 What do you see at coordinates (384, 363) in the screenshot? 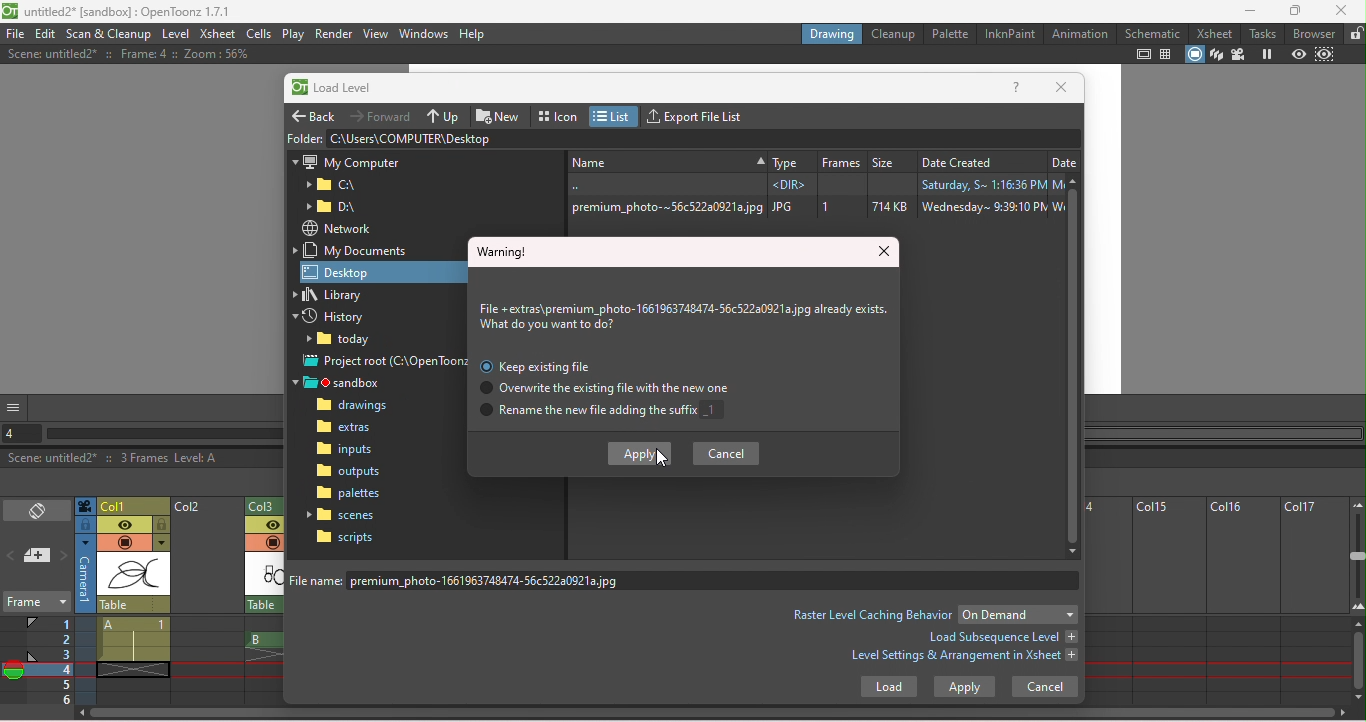
I see `Project root` at bounding box center [384, 363].